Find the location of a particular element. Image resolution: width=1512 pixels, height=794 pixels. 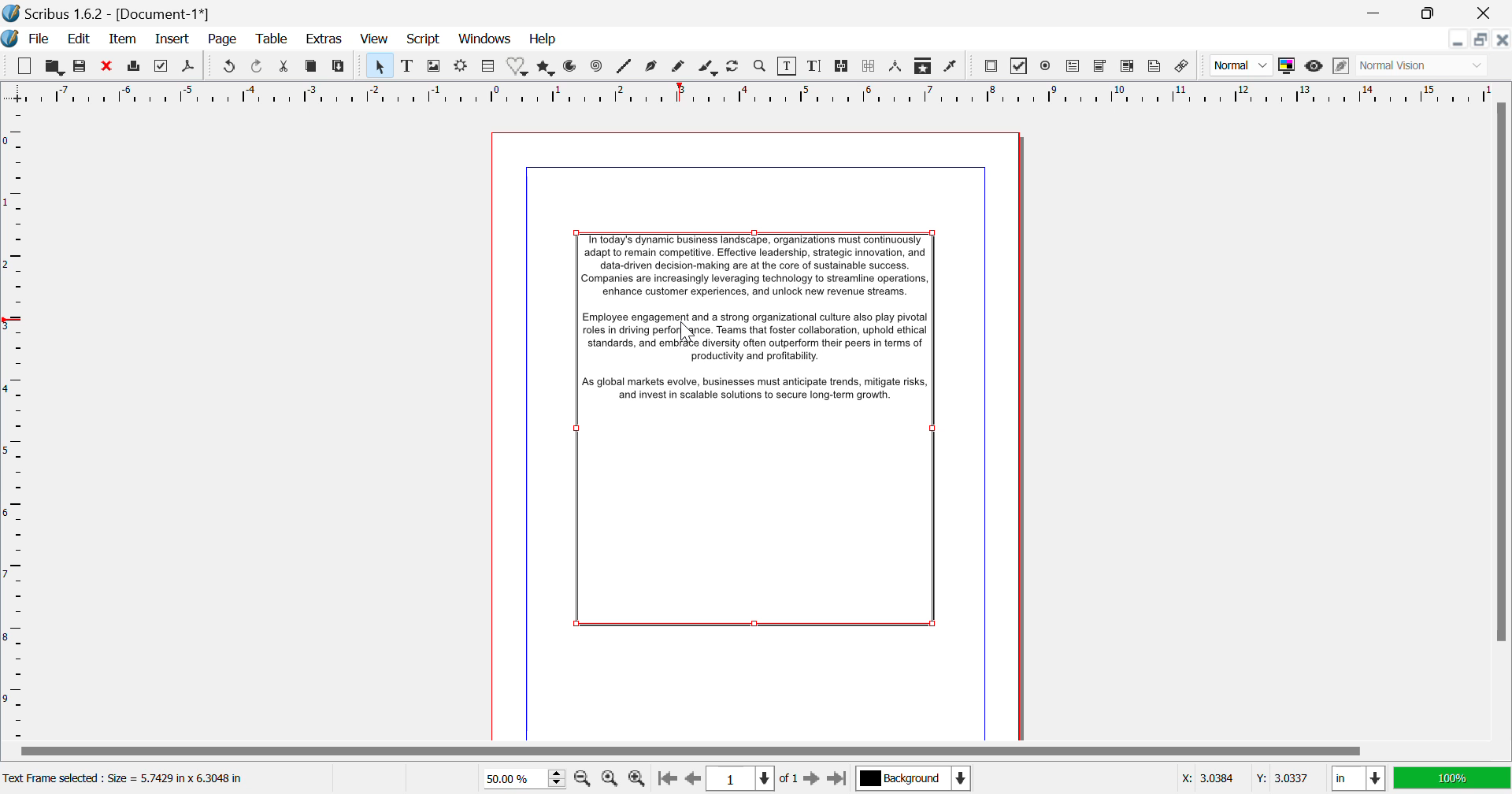

Visual Appearance of display is located at coordinates (1421, 65).